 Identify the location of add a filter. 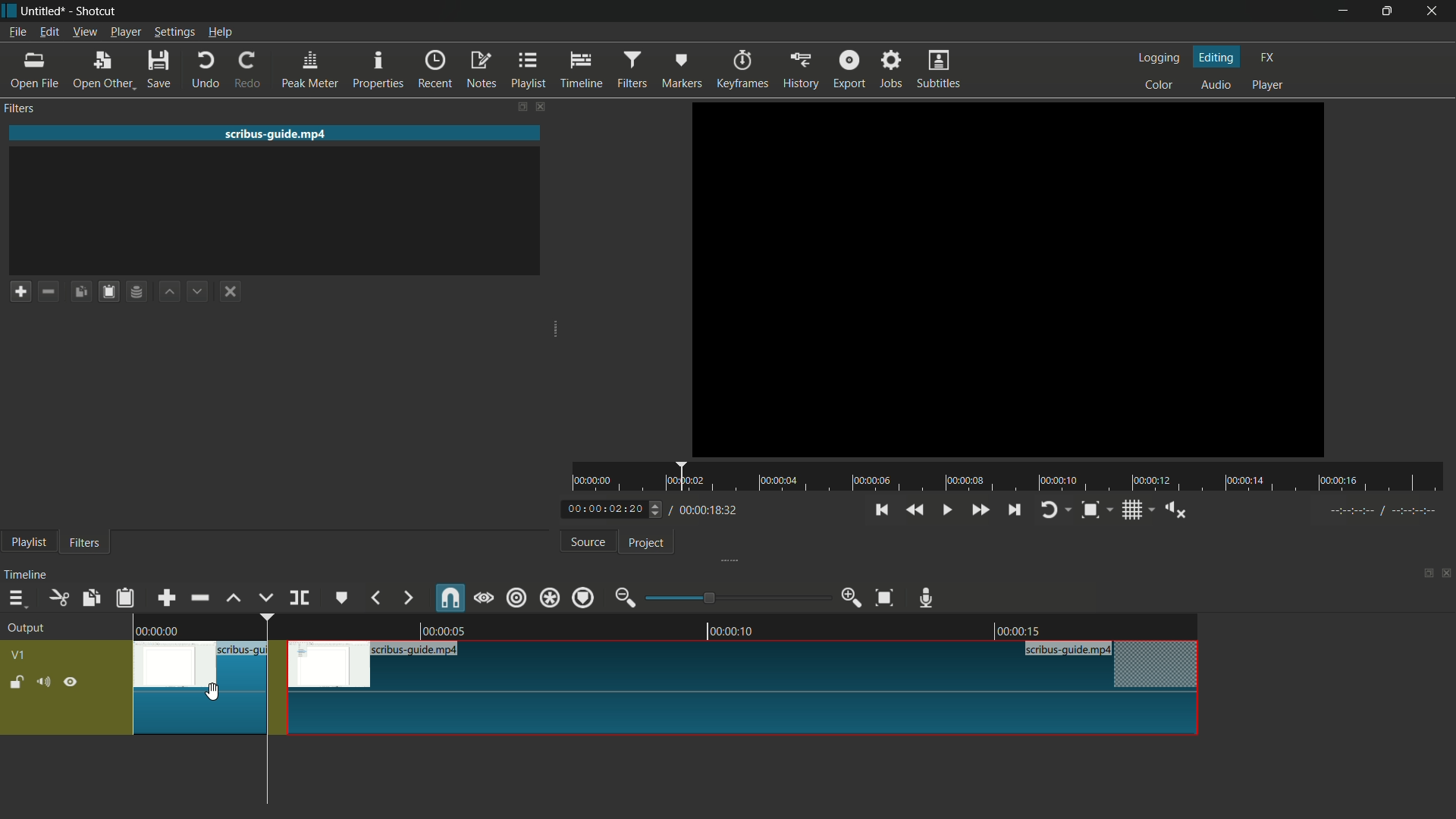
(20, 291).